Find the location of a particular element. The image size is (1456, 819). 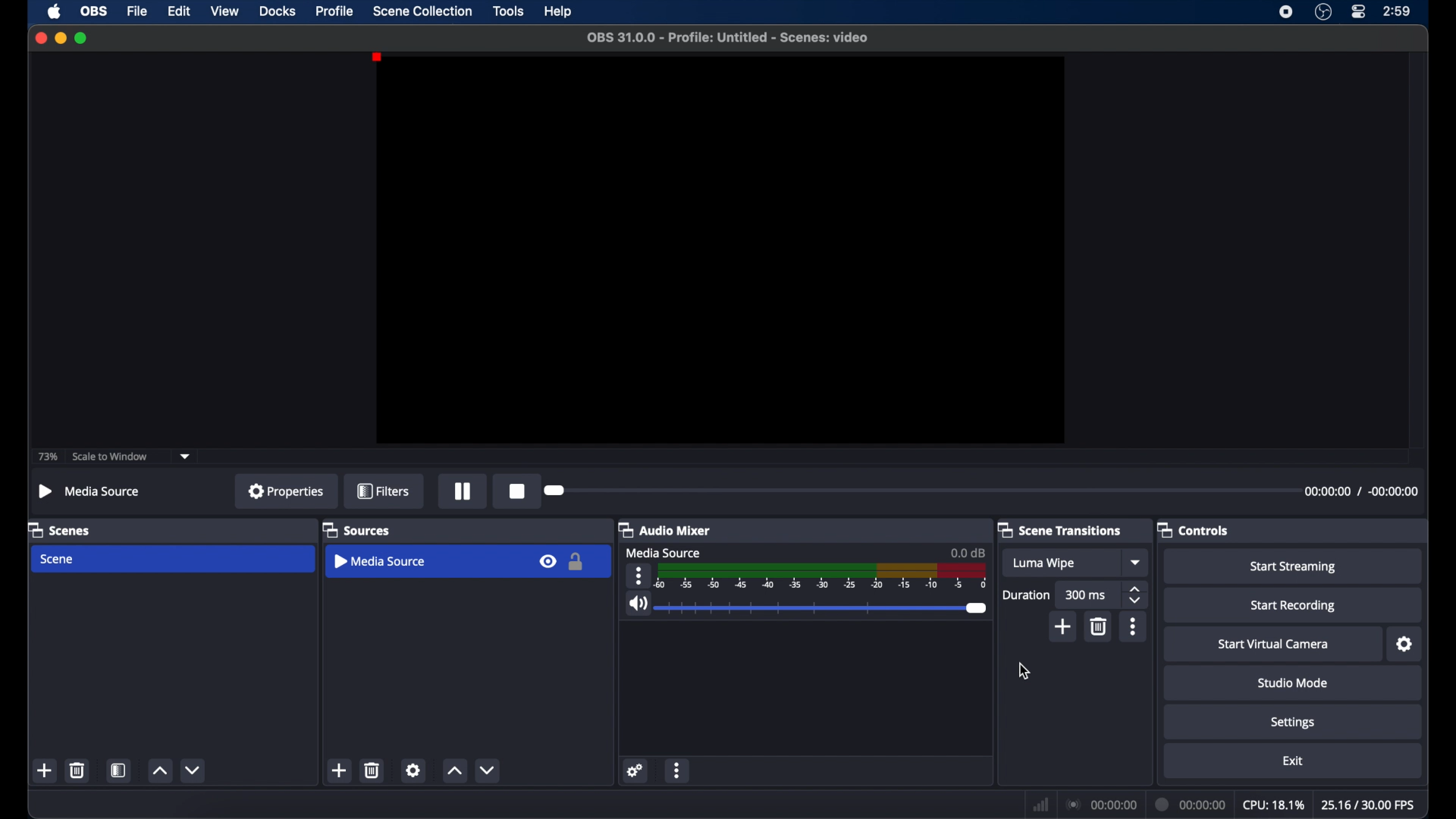

apple icon is located at coordinates (55, 11).